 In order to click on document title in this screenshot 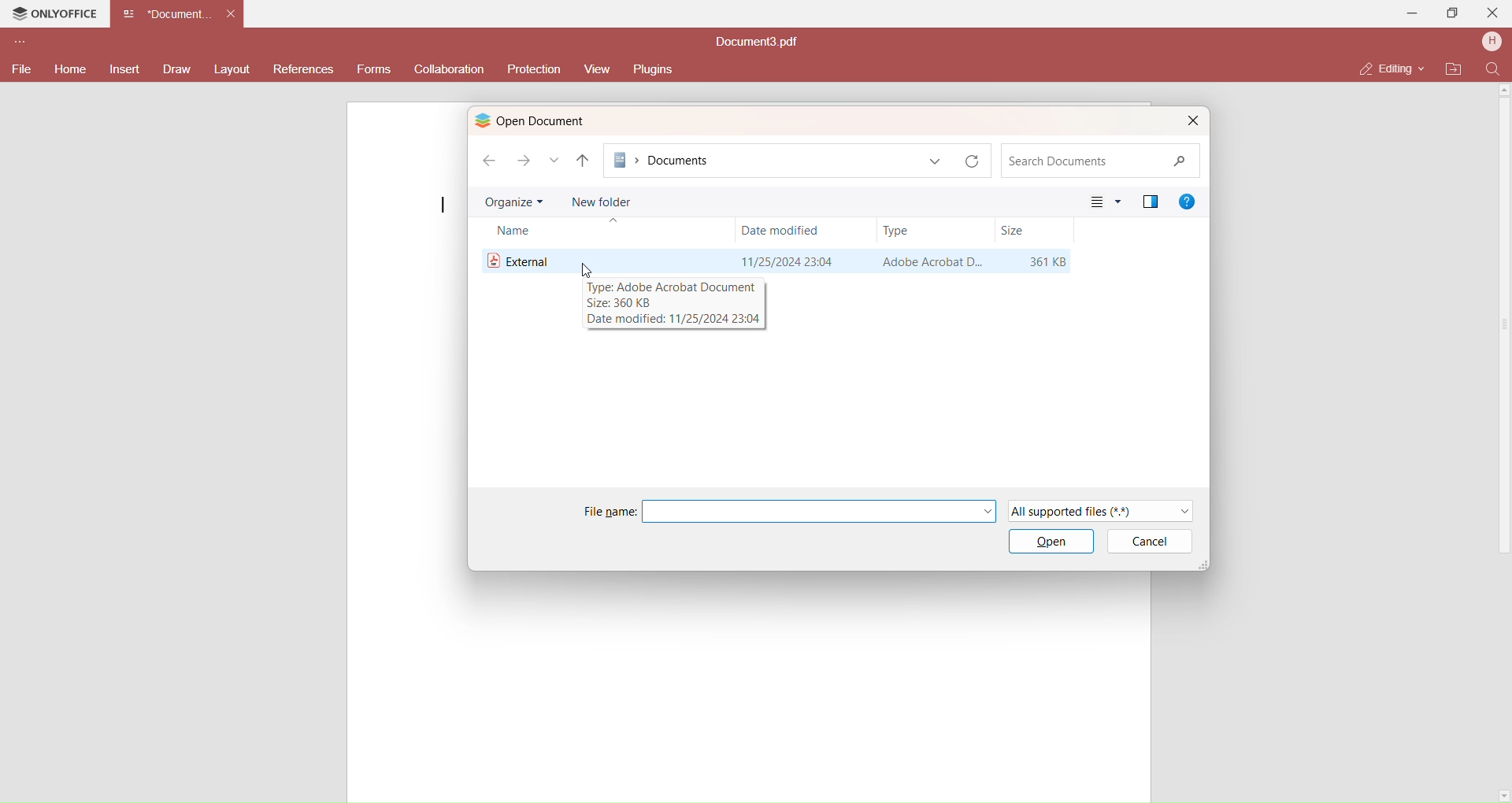, I will do `click(759, 43)`.